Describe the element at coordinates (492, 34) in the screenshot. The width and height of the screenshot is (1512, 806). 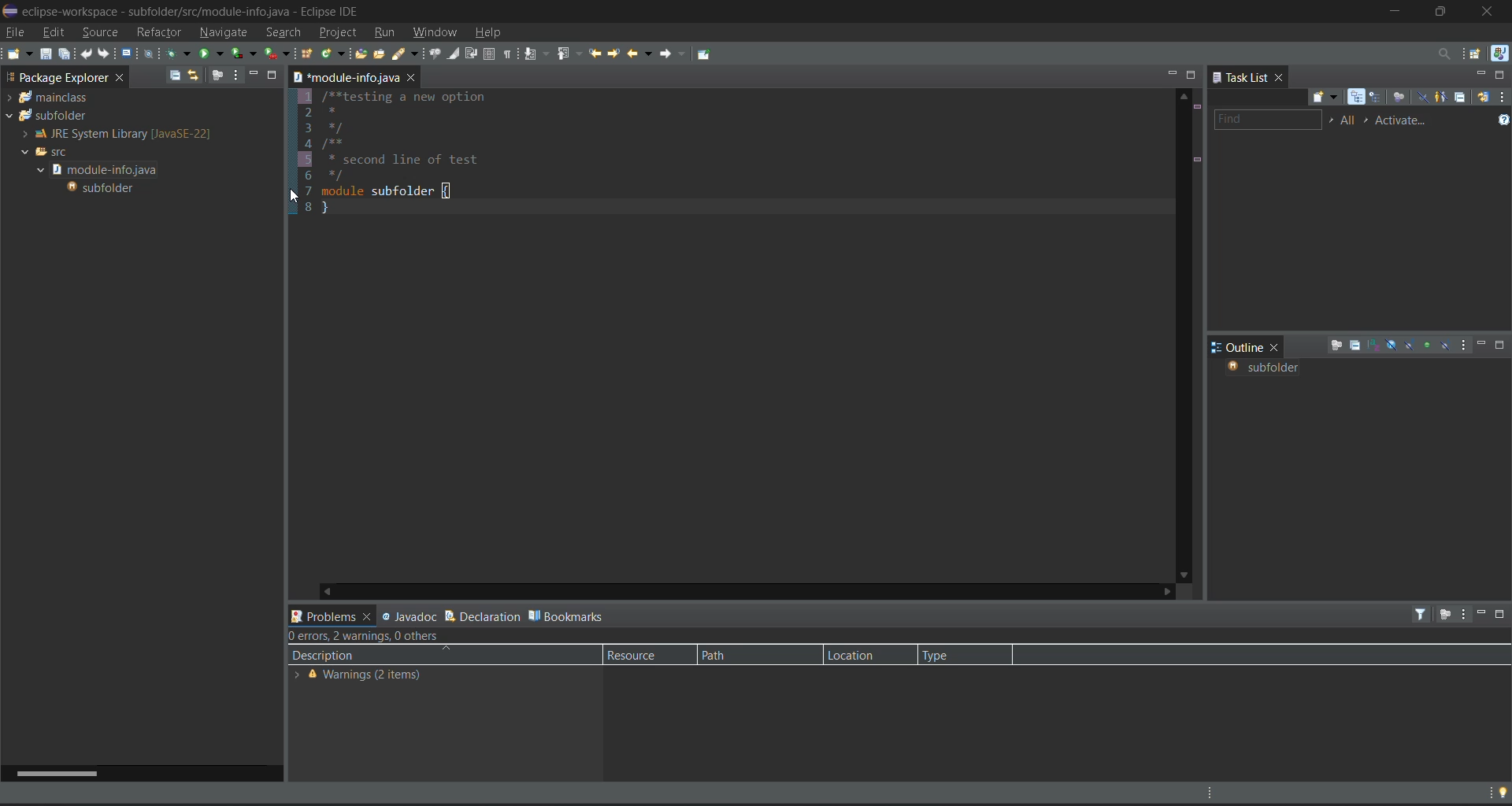
I see `help` at that location.